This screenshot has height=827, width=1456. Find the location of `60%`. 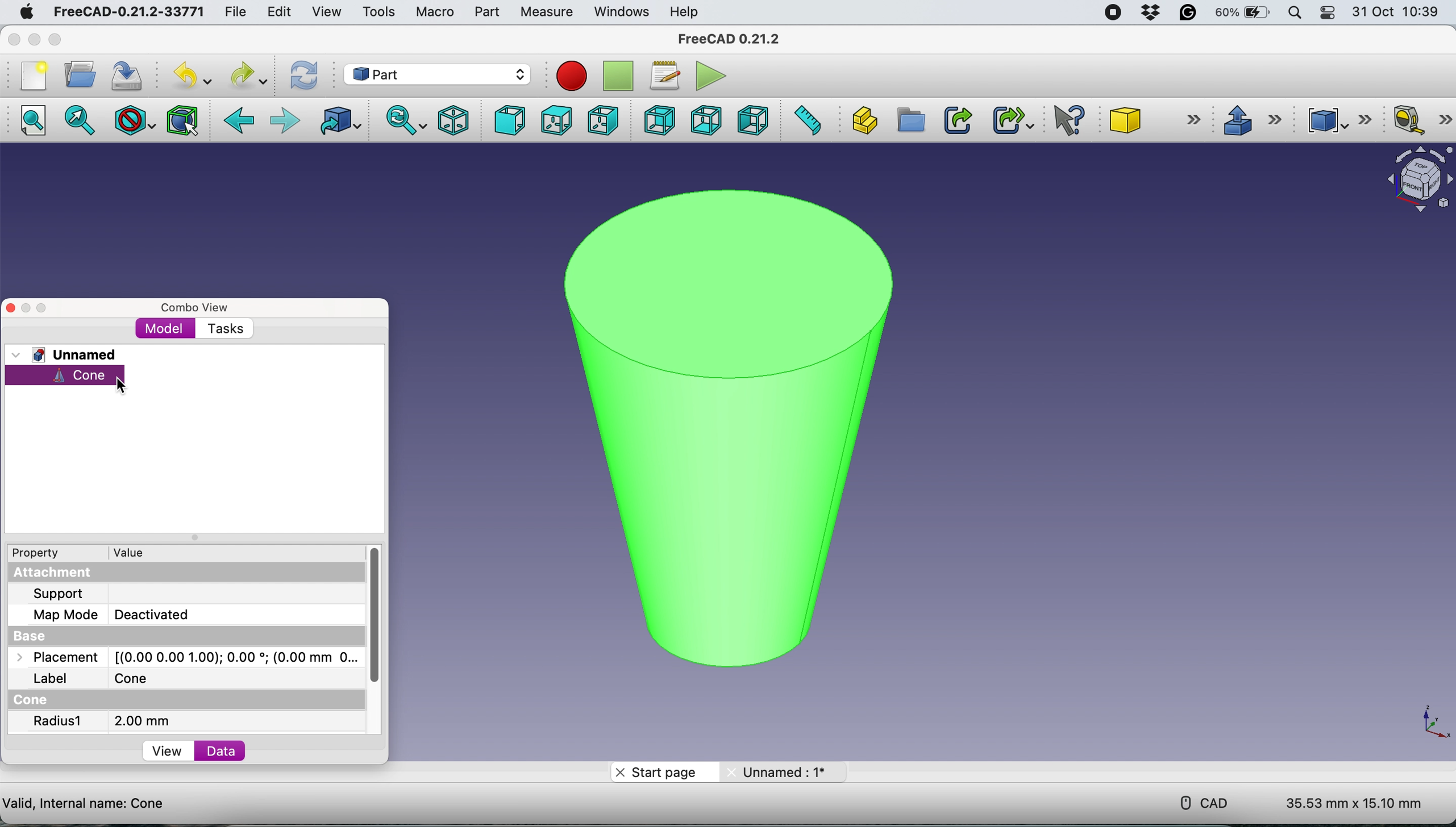

60% is located at coordinates (1242, 14).